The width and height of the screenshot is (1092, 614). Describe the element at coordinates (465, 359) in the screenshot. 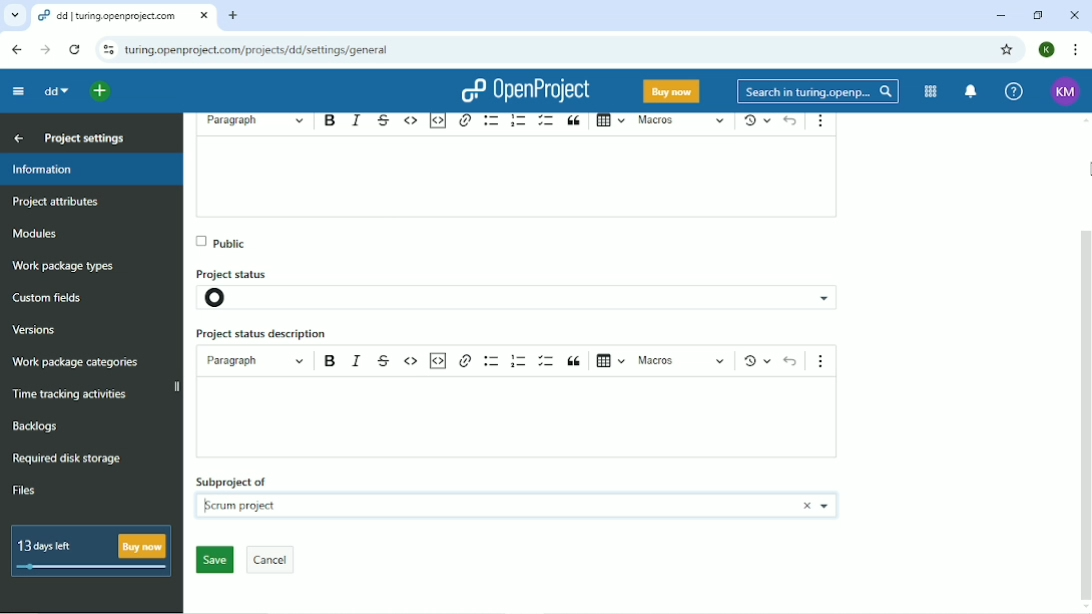

I see `Link` at that location.